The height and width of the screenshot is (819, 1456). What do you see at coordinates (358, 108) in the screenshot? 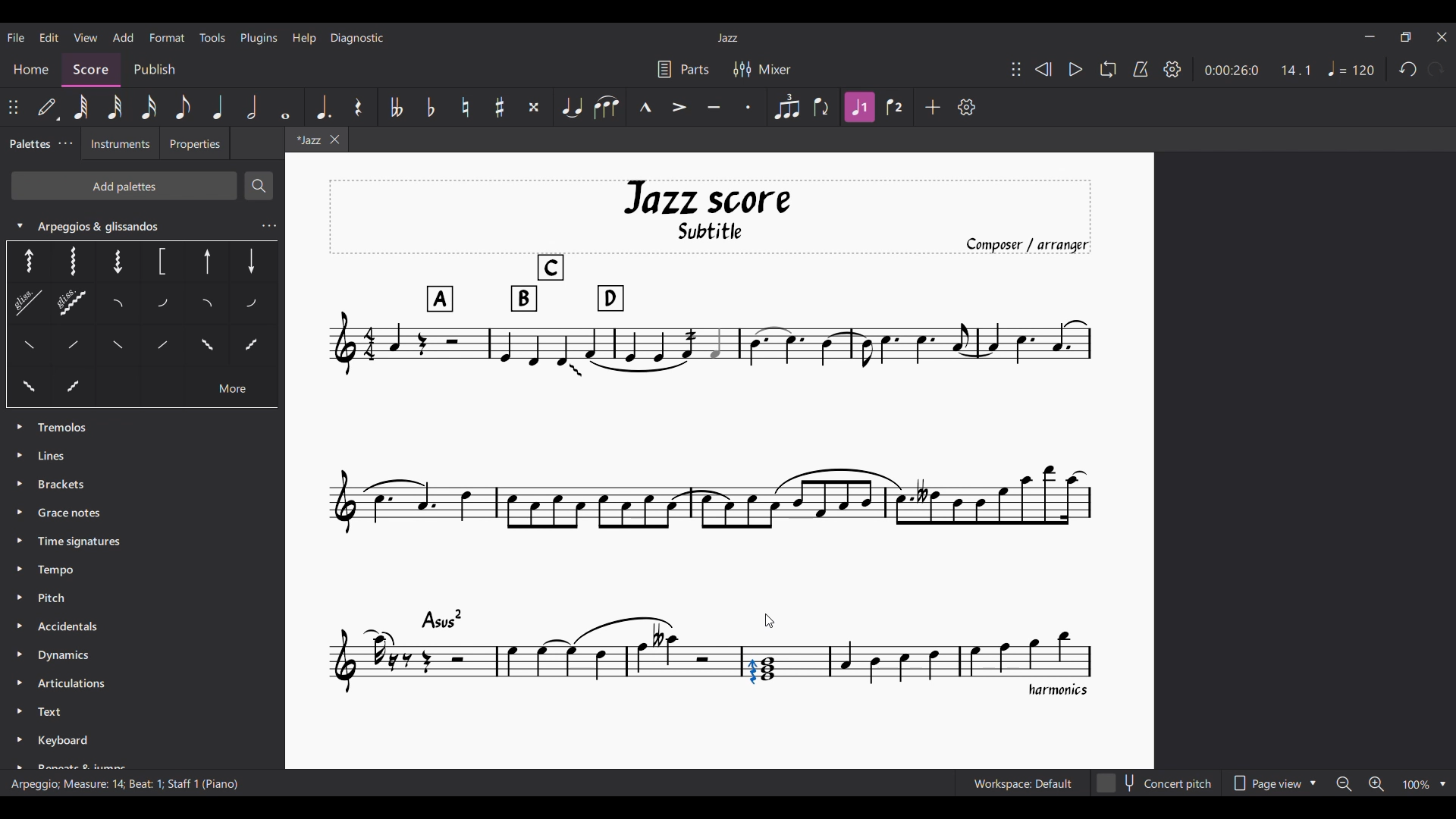
I see `Rest` at bounding box center [358, 108].